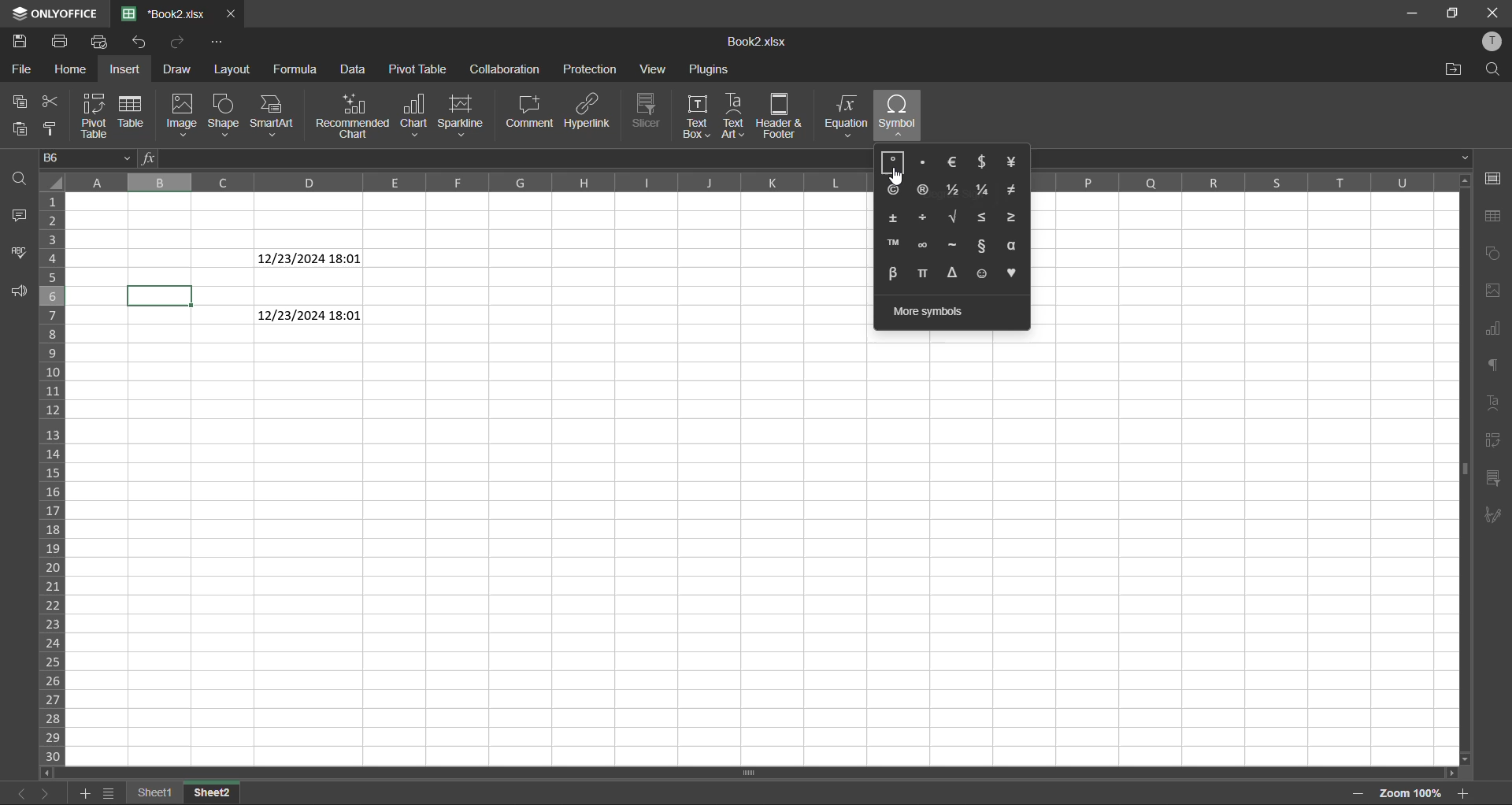 The image size is (1512, 805). What do you see at coordinates (25, 217) in the screenshot?
I see `comments` at bounding box center [25, 217].